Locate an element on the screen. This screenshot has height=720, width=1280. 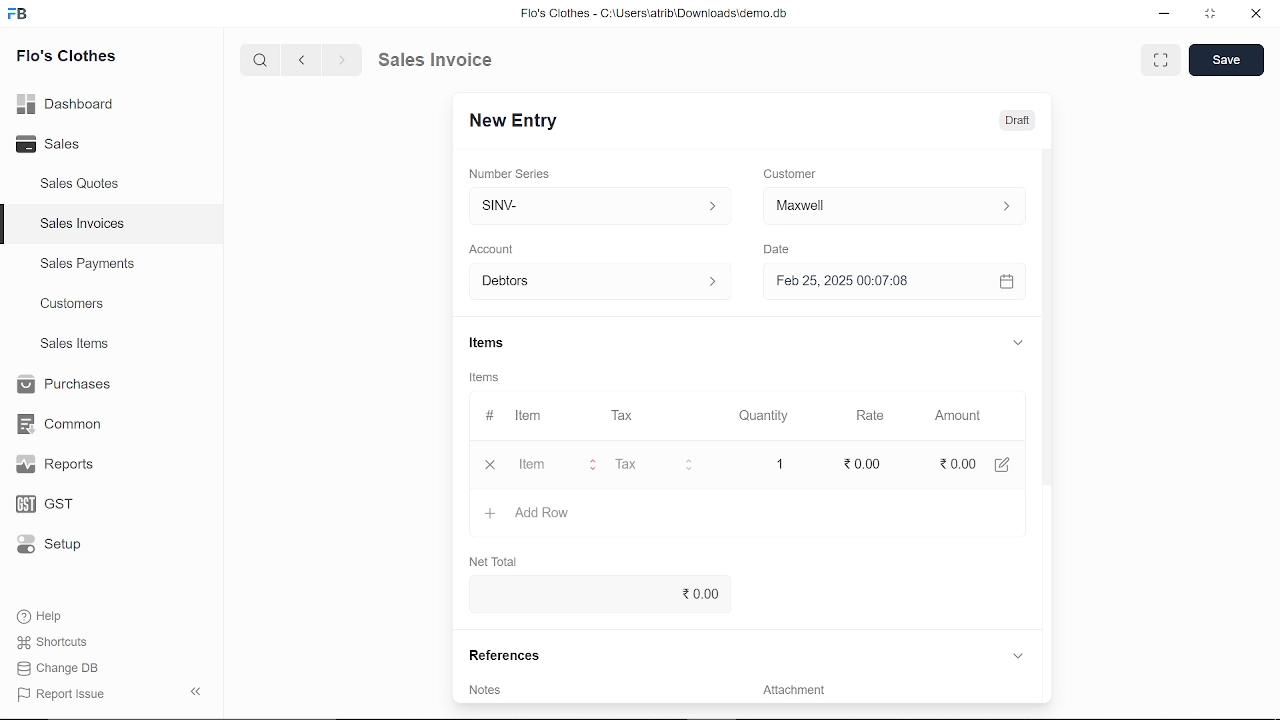
# Item is located at coordinates (513, 417).